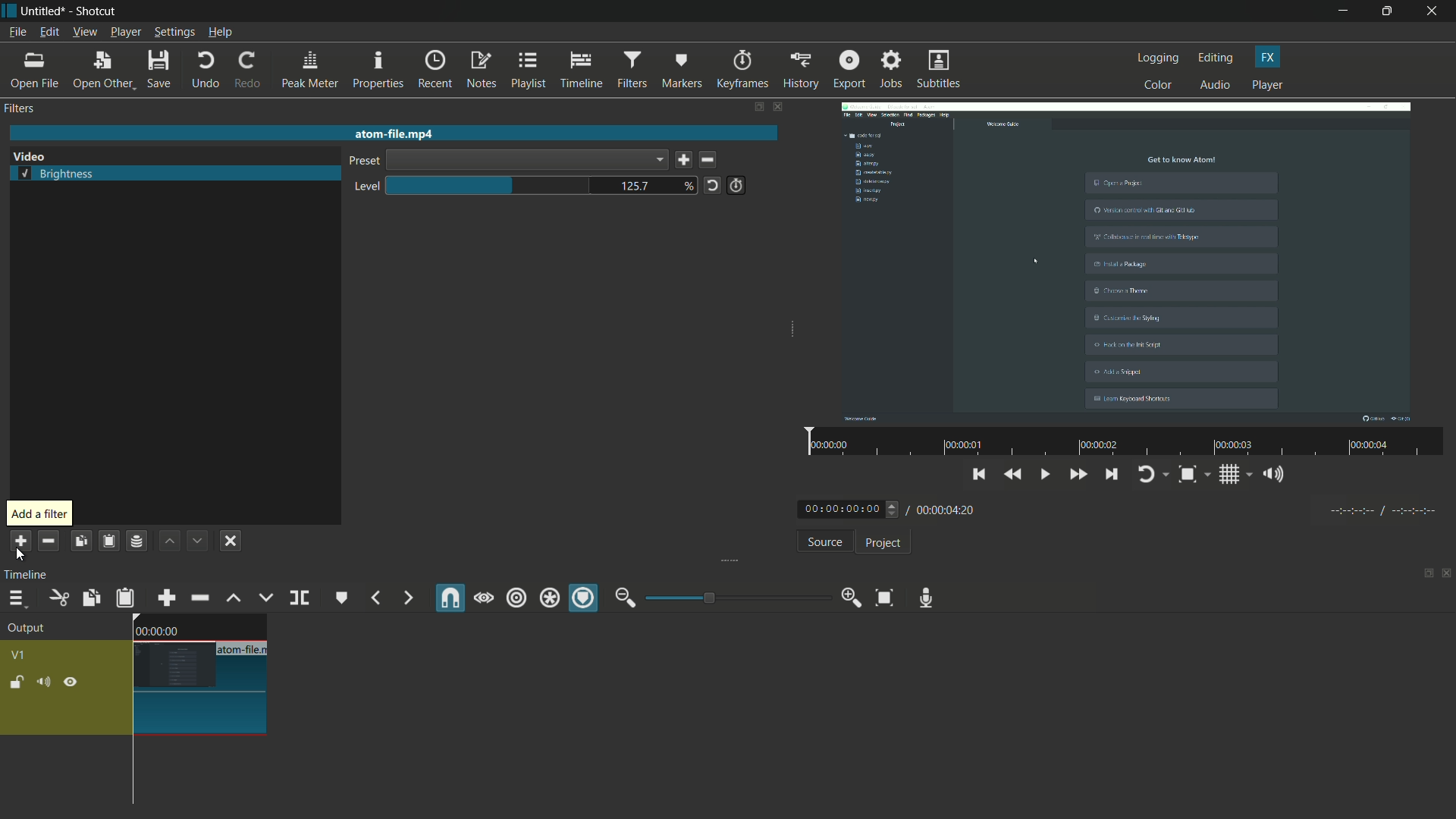 The width and height of the screenshot is (1456, 819). What do you see at coordinates (526, 160) in the screenshot?
I see `dropdown` at bounding box center [526, 160].